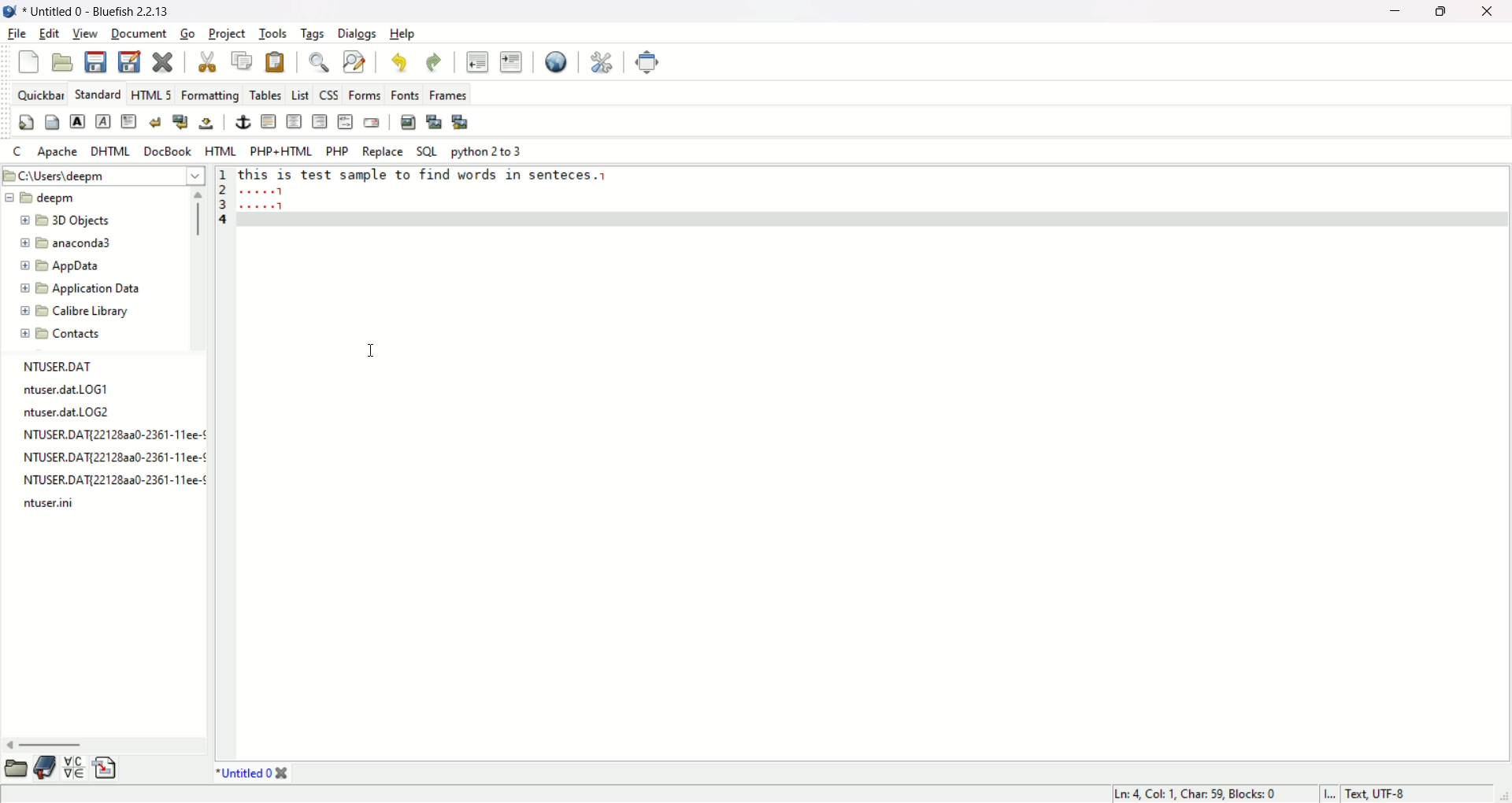 Image resolution: width=1512 pixels, height=803 pixels. I want to click on right justify, so click(320, 121).